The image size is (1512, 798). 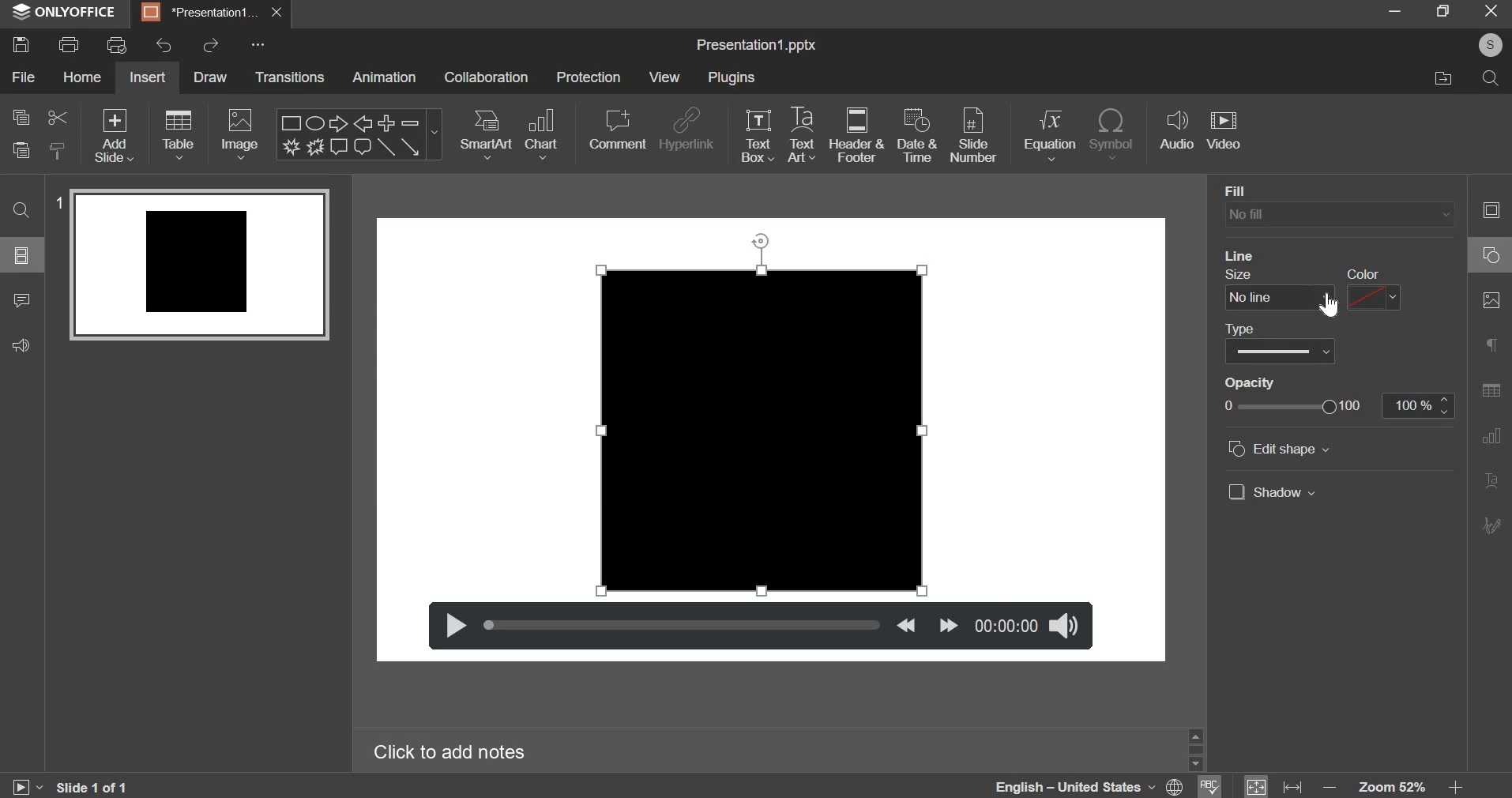 I want to click on OnlyOffice, so click(x=66, y=12).